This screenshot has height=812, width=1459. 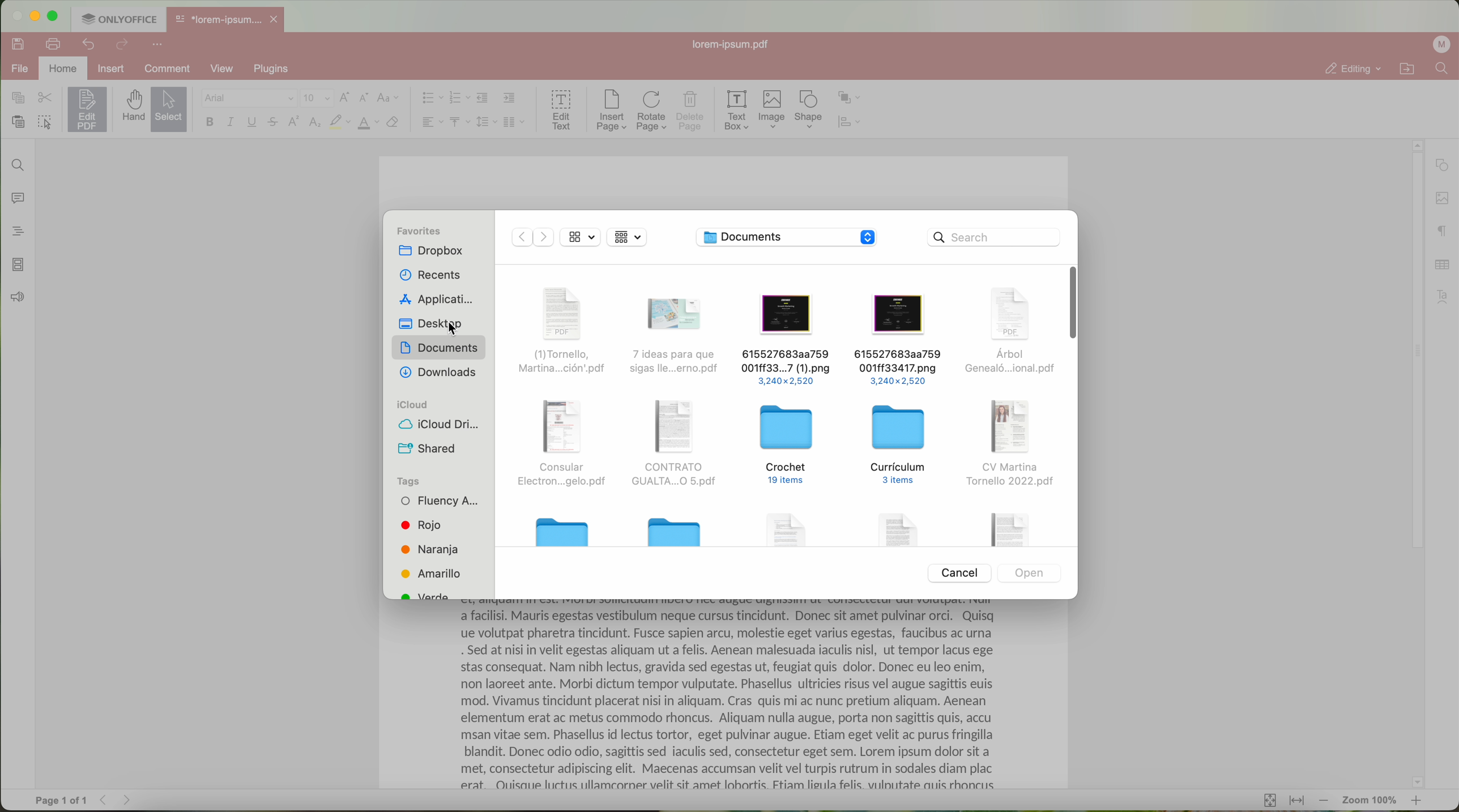 I want to click on CV Martina
Tornello 2022.pdf, so click(x=1010, y=443).